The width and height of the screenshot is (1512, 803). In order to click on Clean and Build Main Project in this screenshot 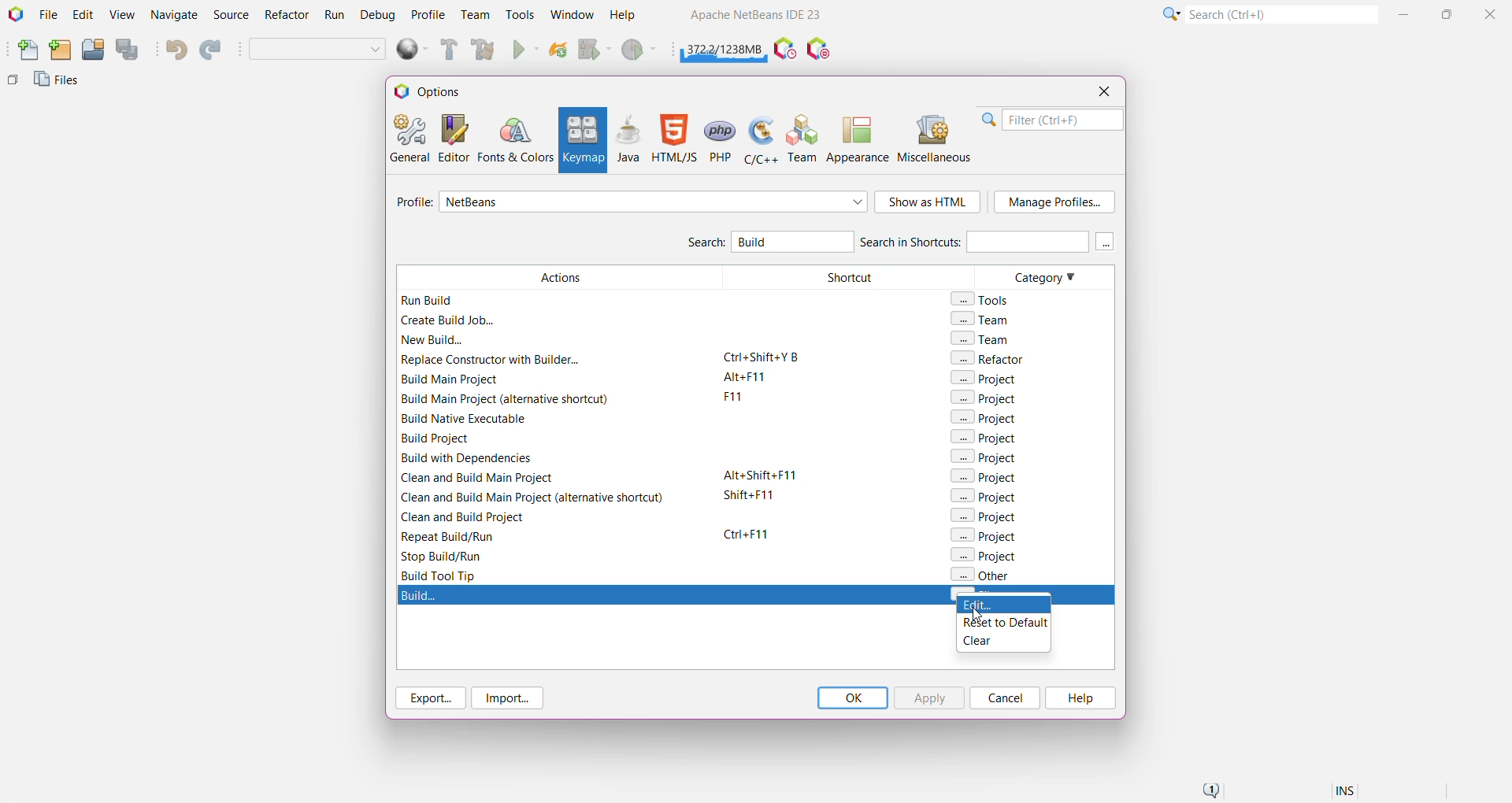, I will do `click(486, 51)`.